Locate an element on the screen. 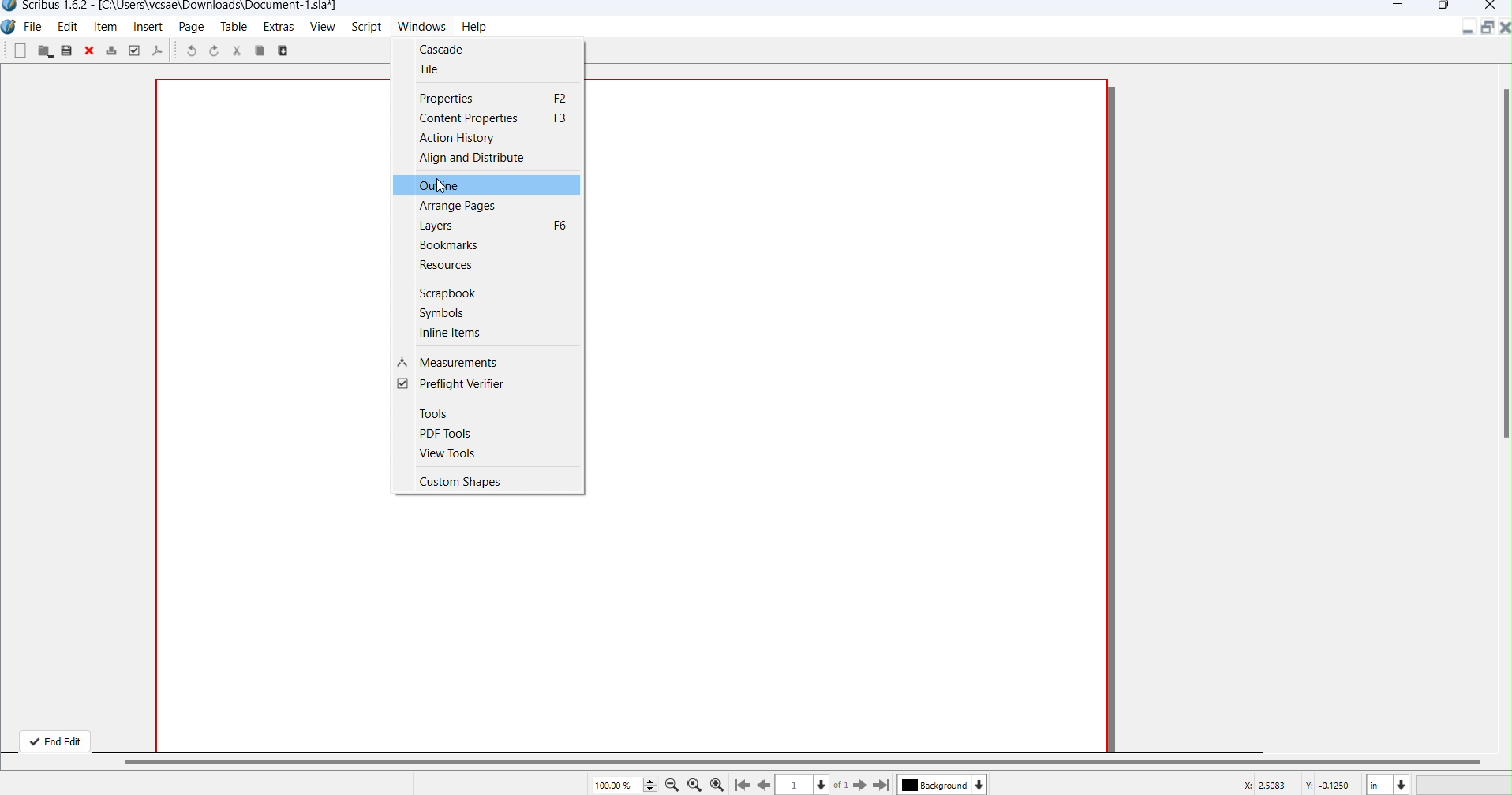  foward is located at coordinates (860, 784).